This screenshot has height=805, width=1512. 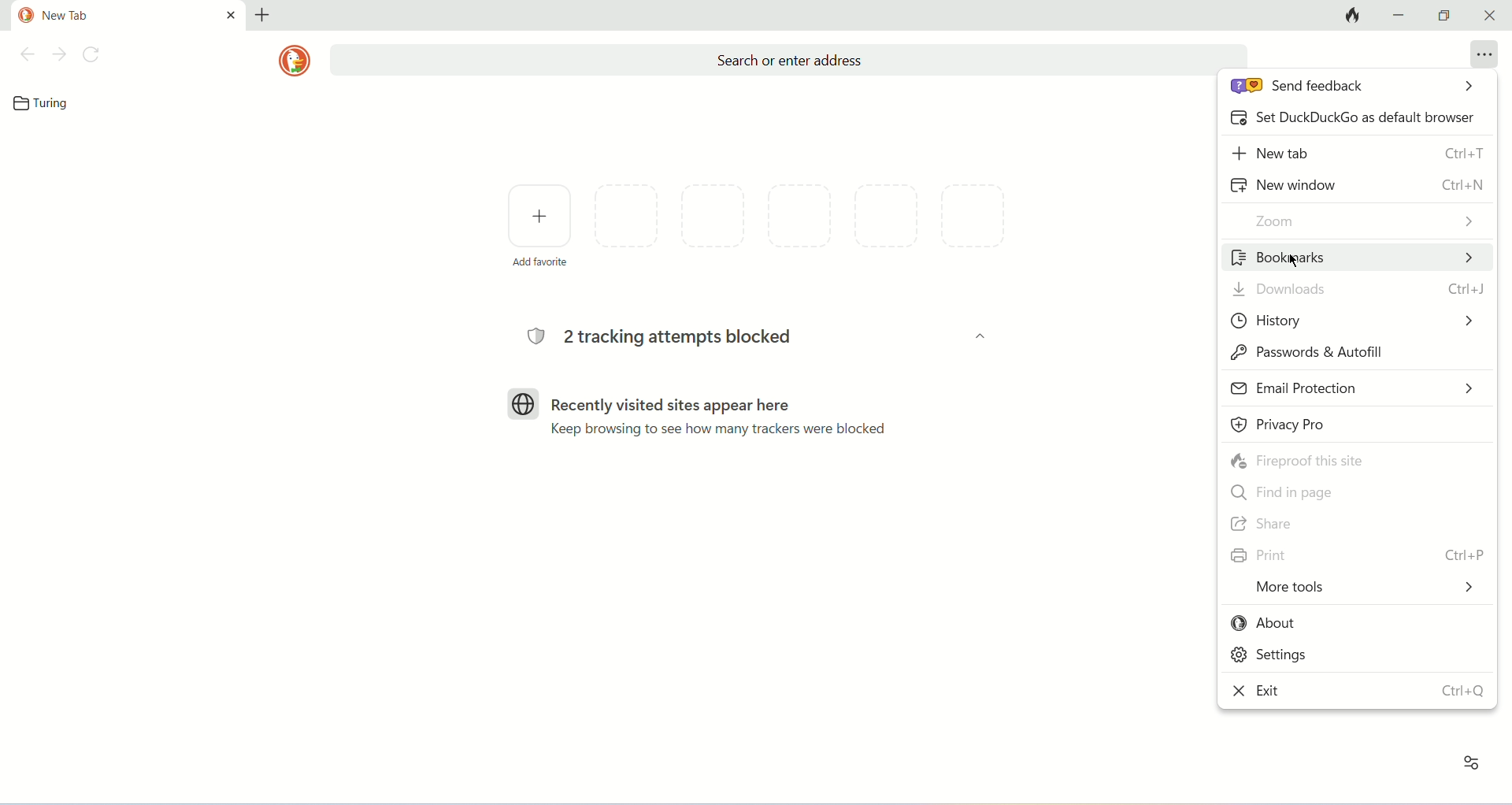 What do you see at coordinates (1362, 623) in the screenshot?
I see `about` at bounding box center [1362, 623].